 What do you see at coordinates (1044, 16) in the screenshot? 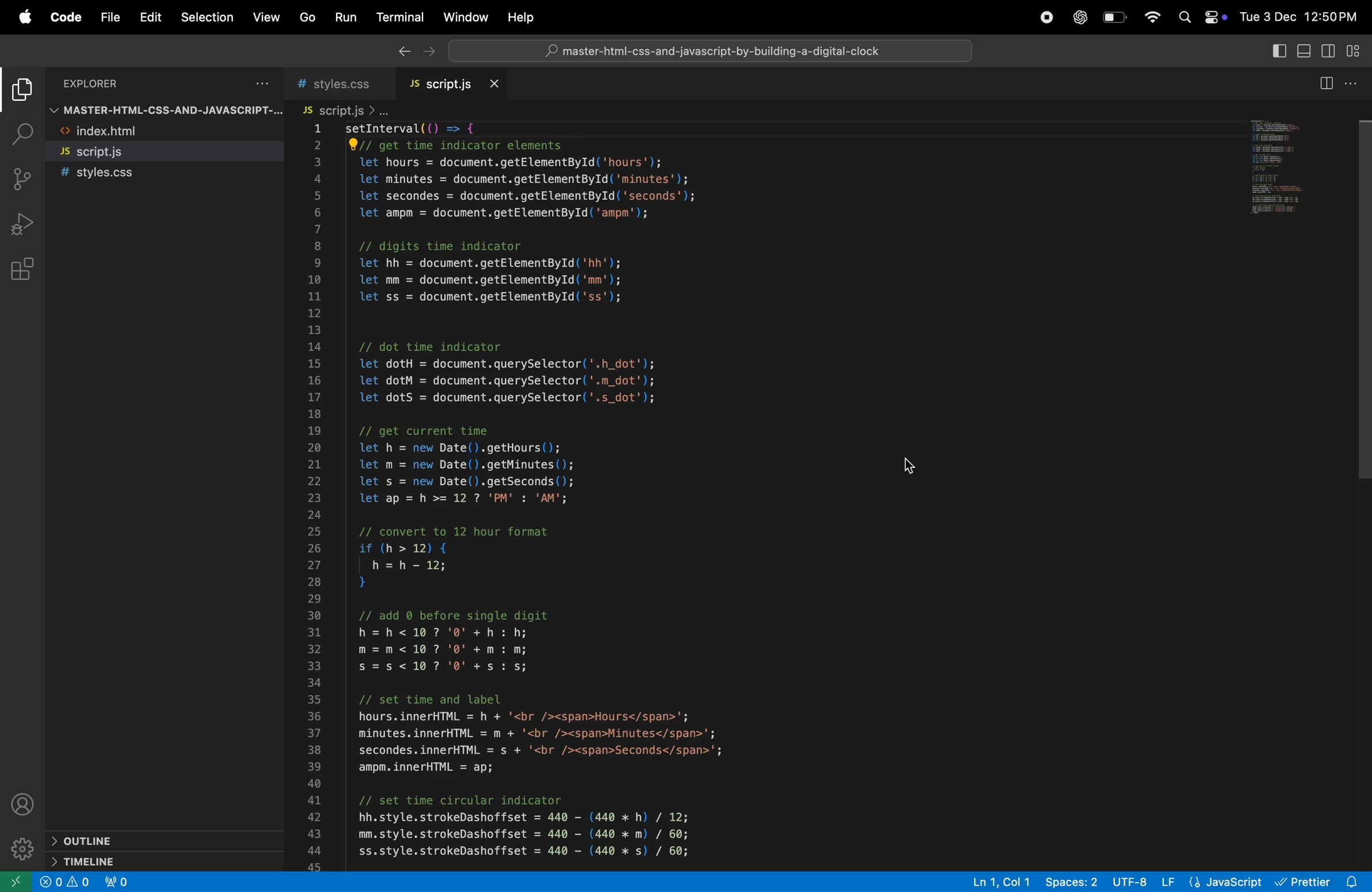
I see `record` at bounding box center [1044, 16].